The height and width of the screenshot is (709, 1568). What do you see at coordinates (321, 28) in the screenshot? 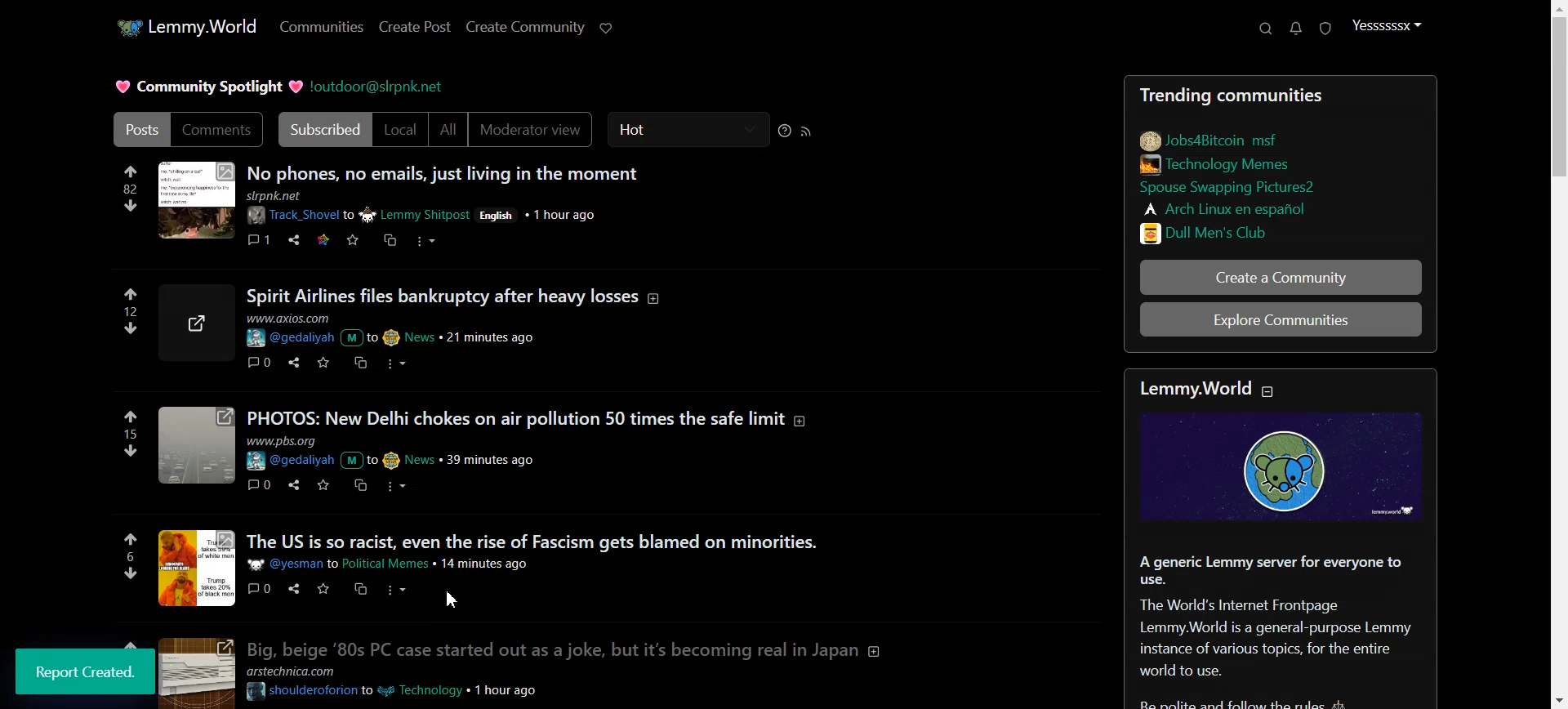
I see `Communities` at bounding box center [321, 28].